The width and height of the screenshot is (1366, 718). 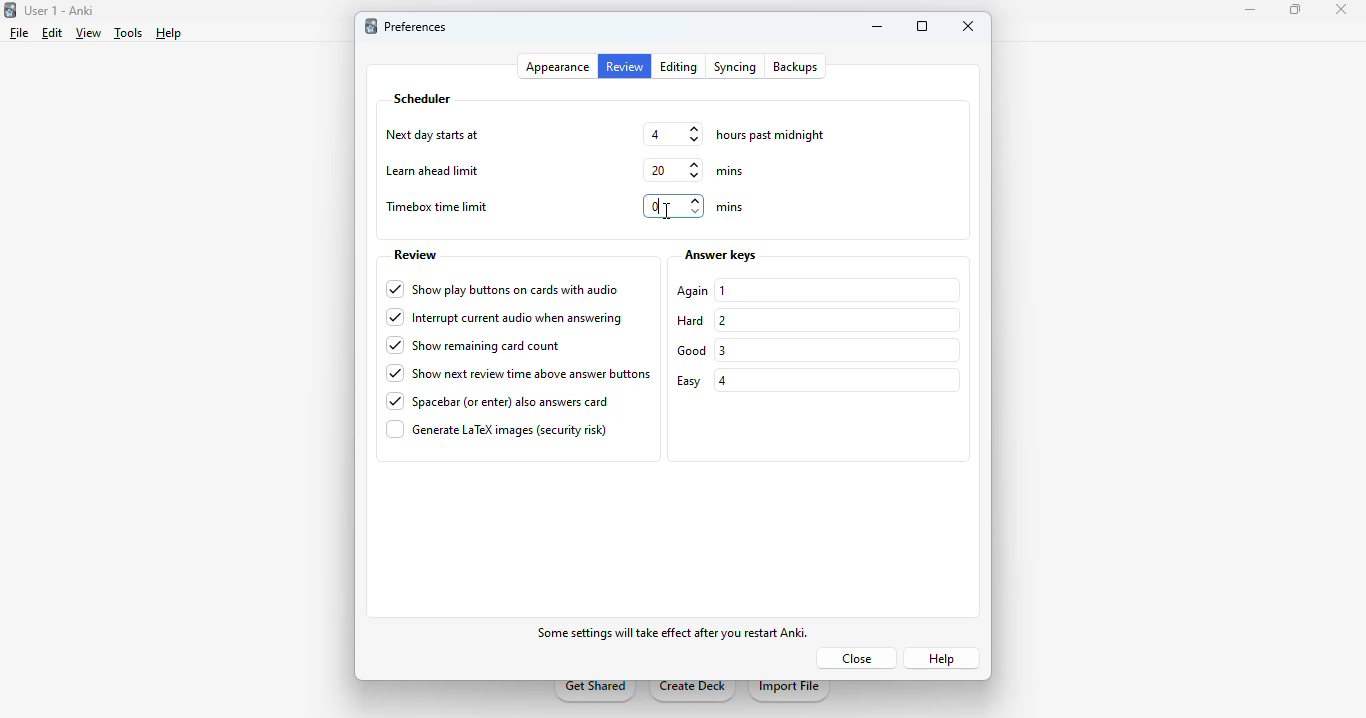 What do you see at coordinates (502, 290) in the screenshot?
I see `show play buttons on cards with audio` at bounding box center [502, 290].